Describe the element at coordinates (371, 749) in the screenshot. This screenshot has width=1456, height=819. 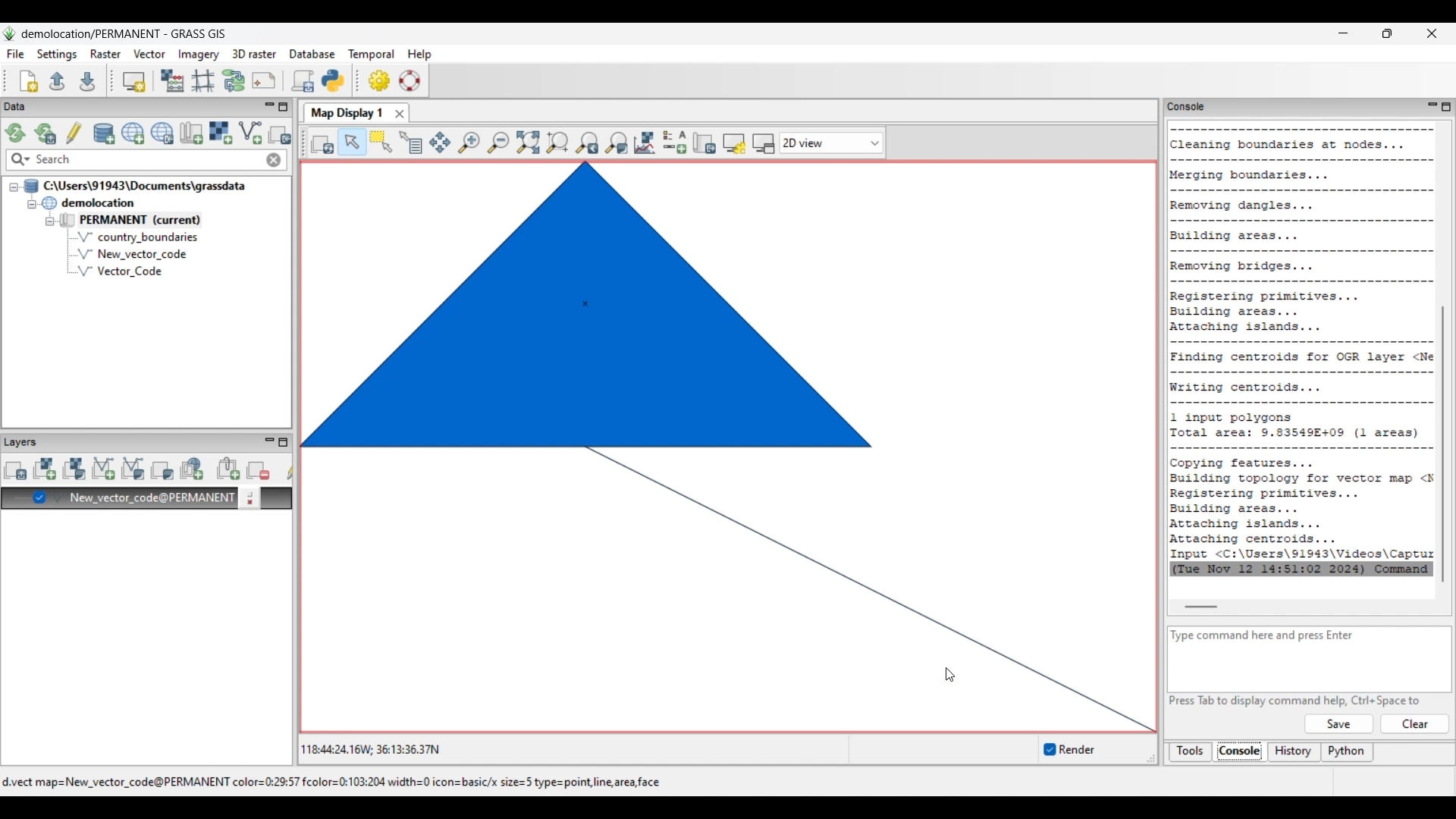
I see `Cursor co-ordinates changed` at that location.